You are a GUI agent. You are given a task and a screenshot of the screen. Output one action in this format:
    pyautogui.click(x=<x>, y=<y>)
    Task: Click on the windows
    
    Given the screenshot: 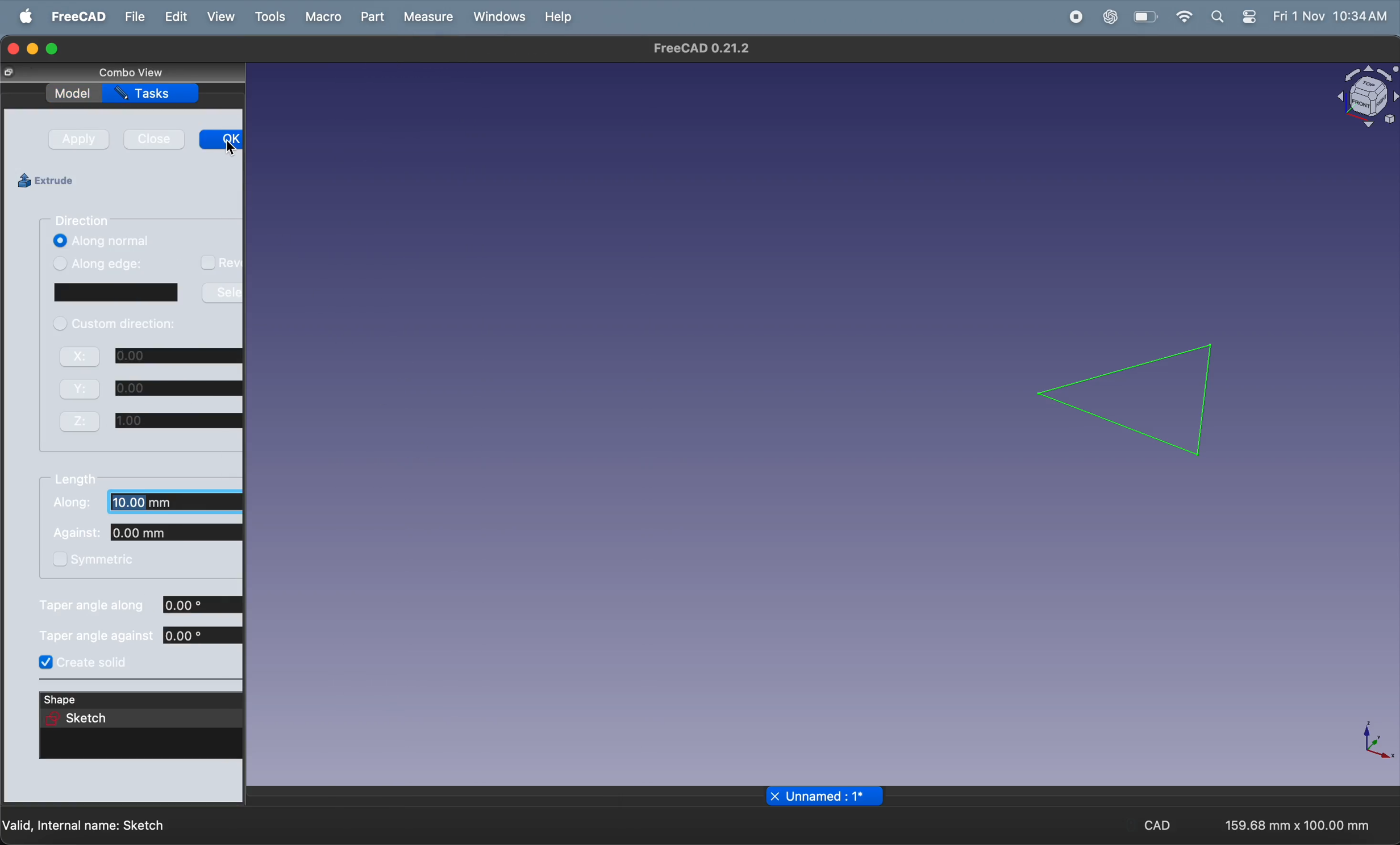 What is the action you would take?
    pyautogui.click(x=499, y=18)
    